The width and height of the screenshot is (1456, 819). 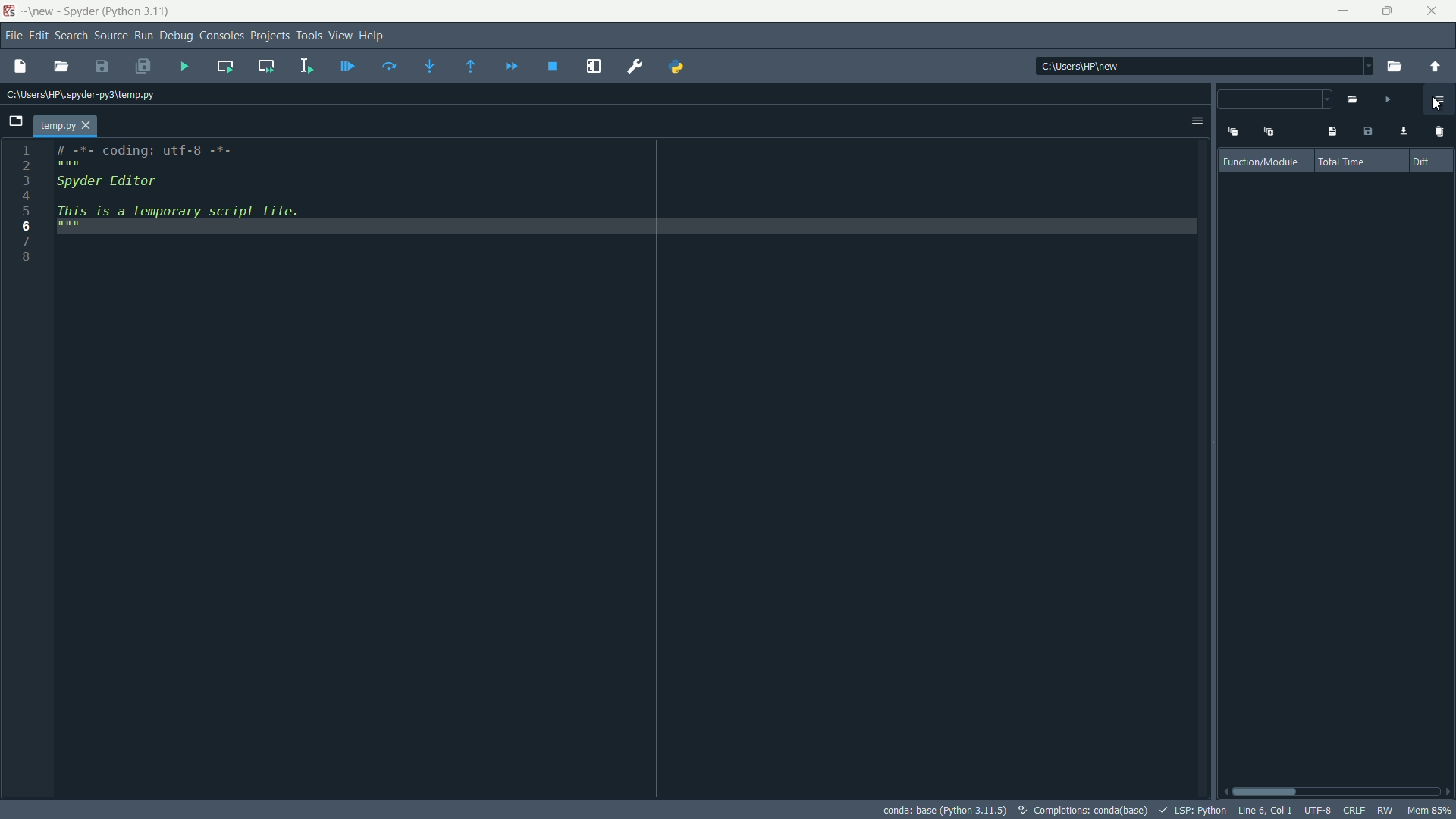 I want to click on app icon, so click(x=11, y=11).